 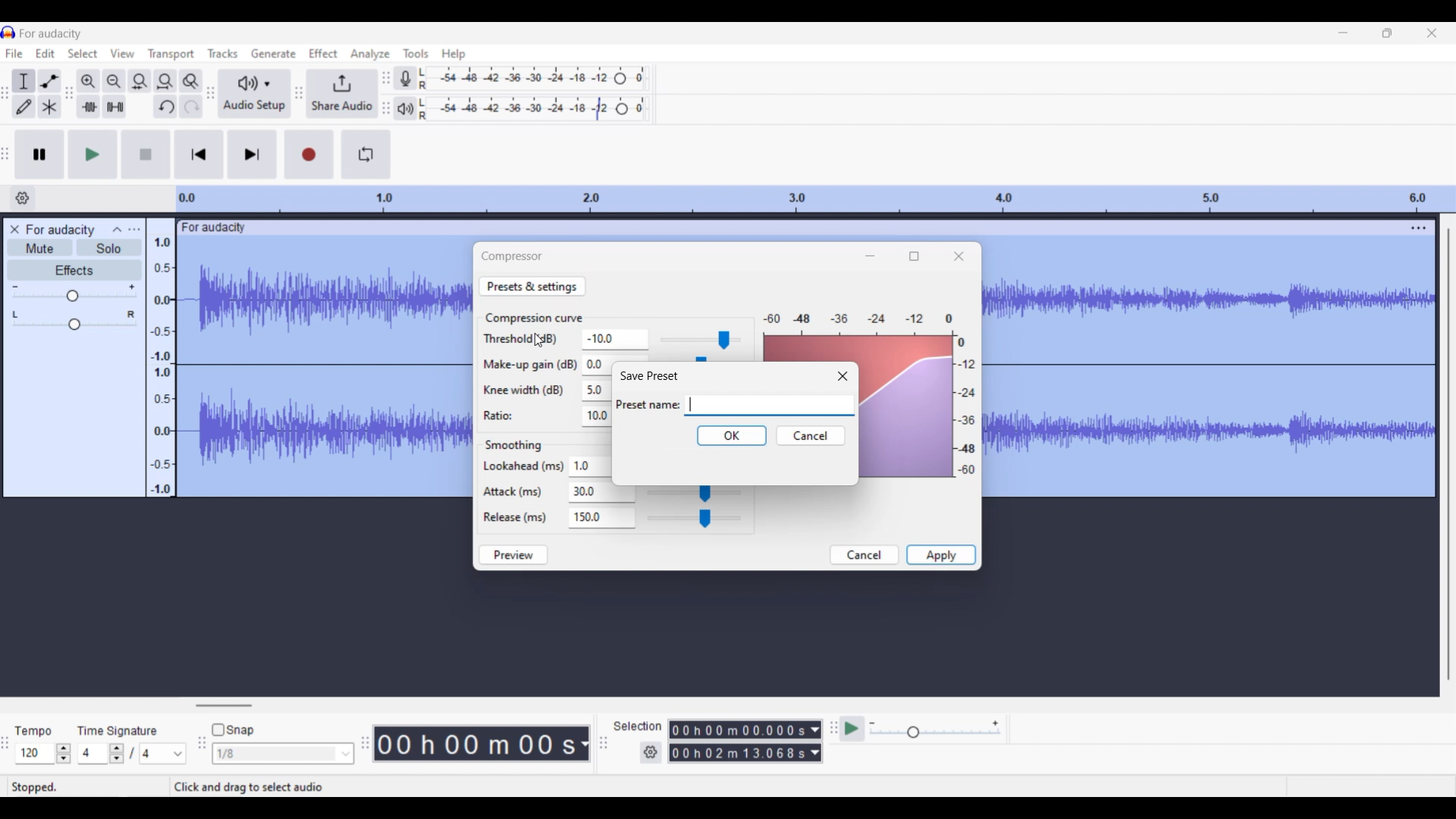 What do you see at coordinates (216, 227) in the screenshot?
I see `for audacity` at bounding box center [216, 227].